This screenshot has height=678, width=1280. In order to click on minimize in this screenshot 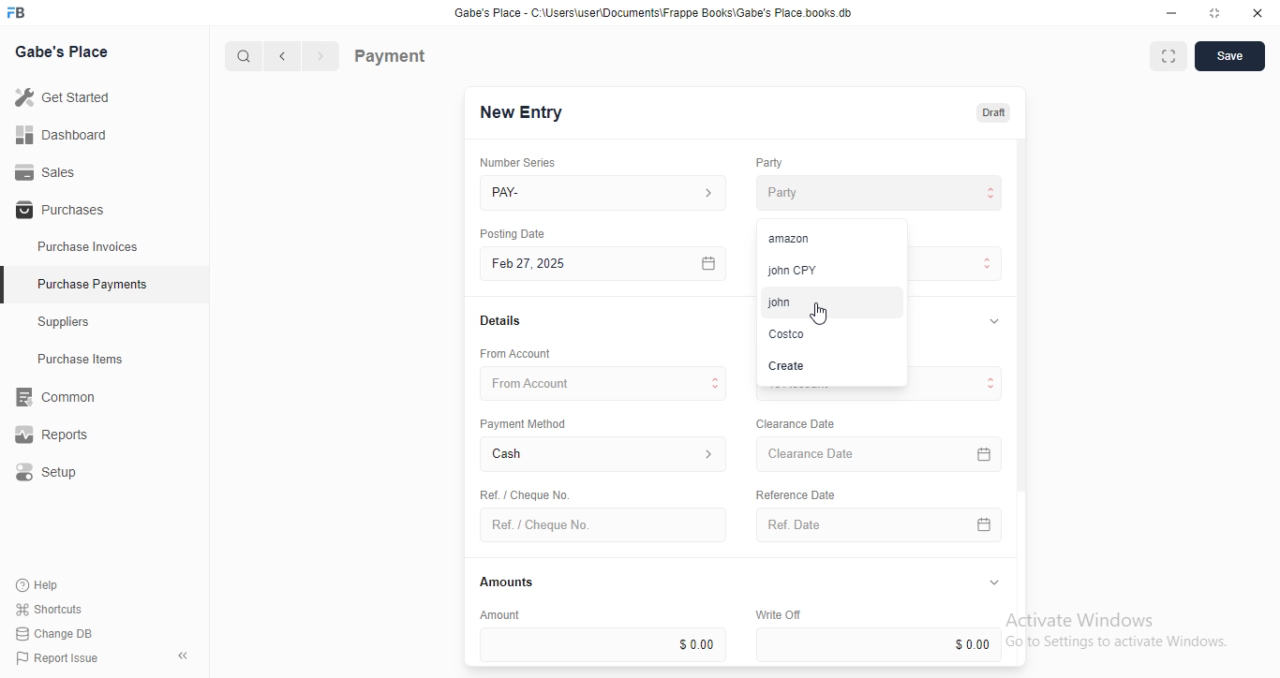, I will do `click(1166, 12)`.